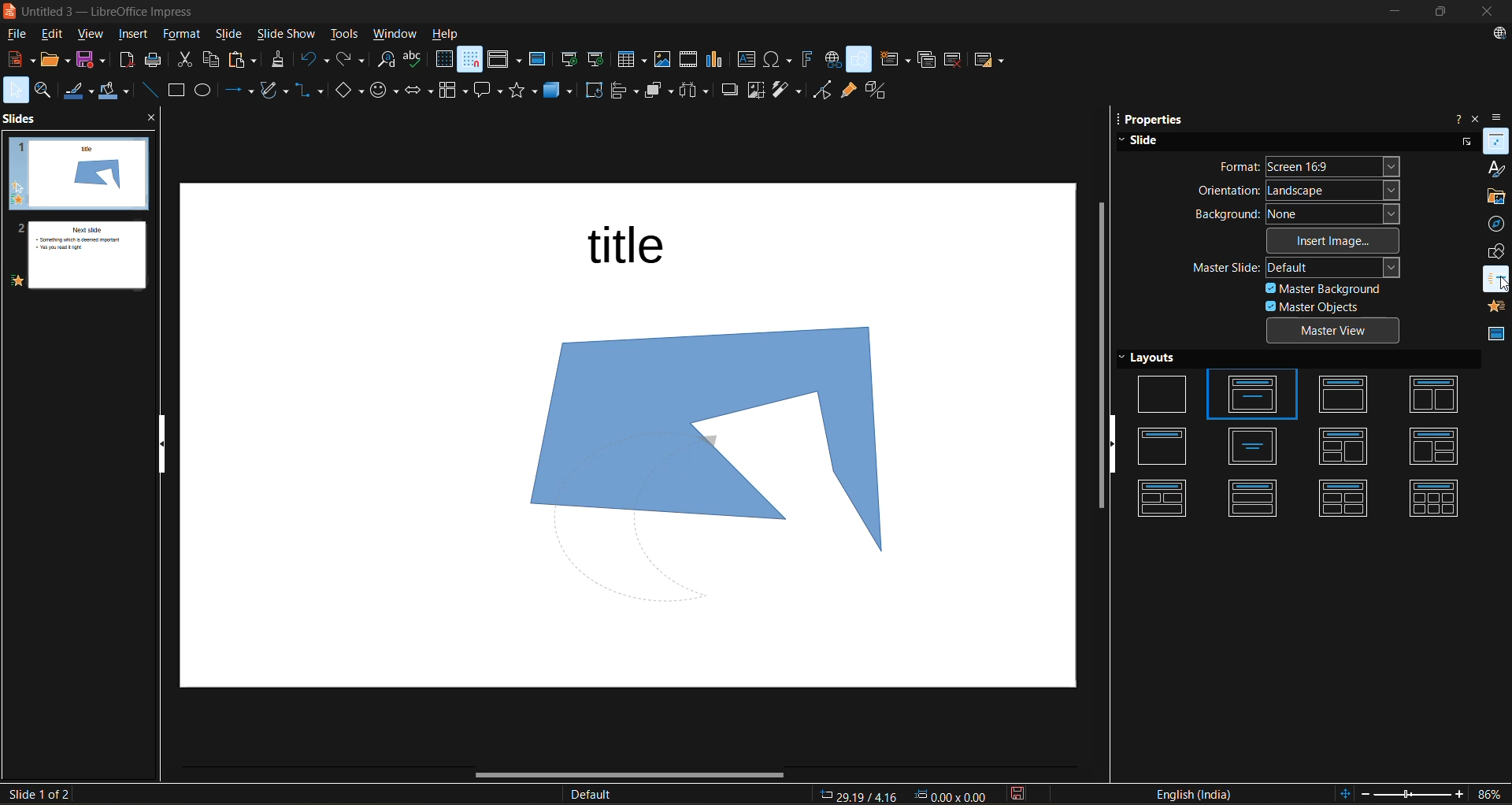  I want to click on arrange, so click(660, 92).